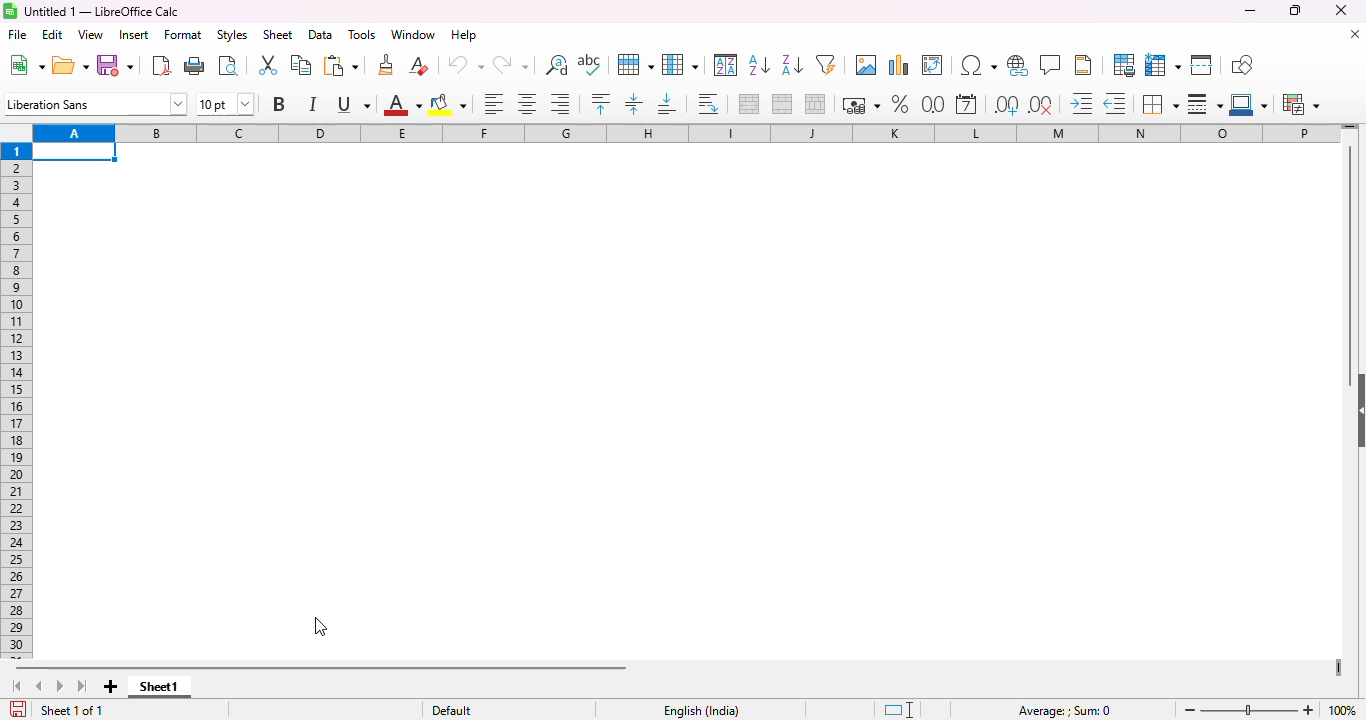 The width and height of the screenshot is (1366, 720). Describe the element at coordinates (826, 65) in the screenshot. I see `autoFilter` at that location.